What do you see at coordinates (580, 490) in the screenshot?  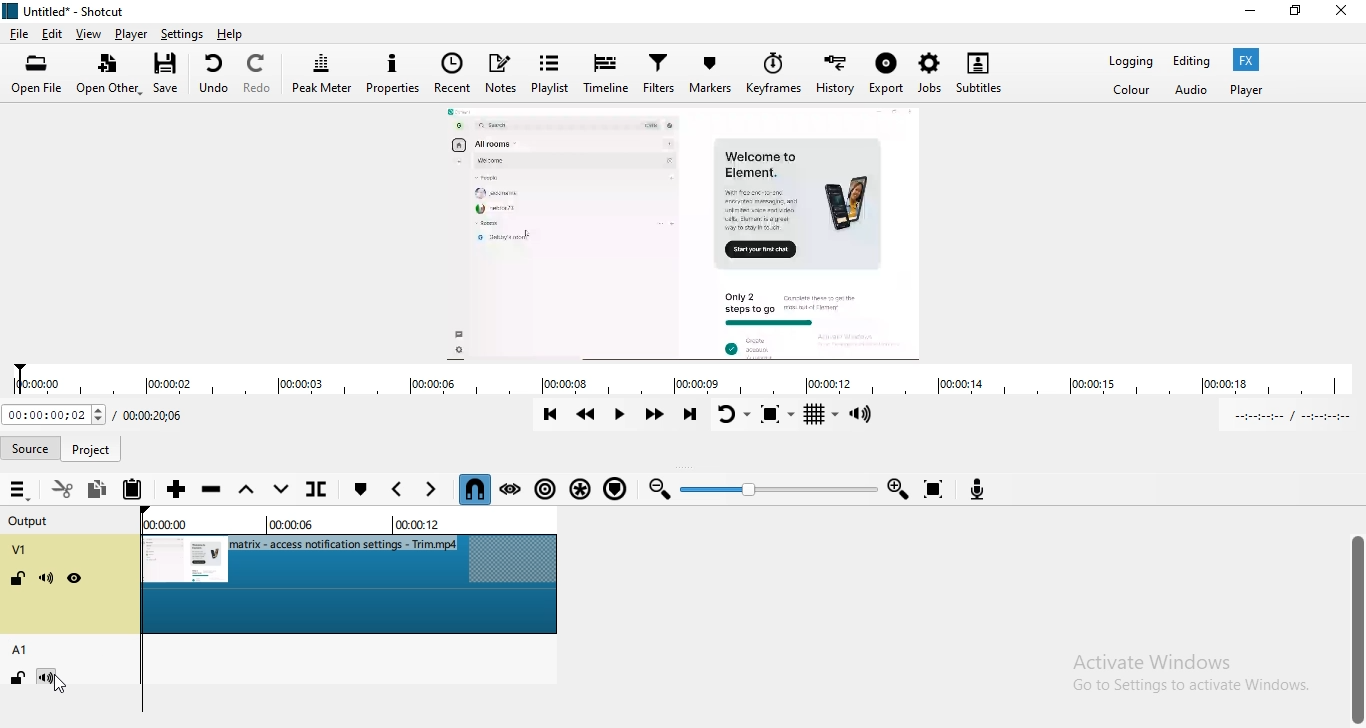 I see `Ripple all tracks` at bounding box center [580, 490].